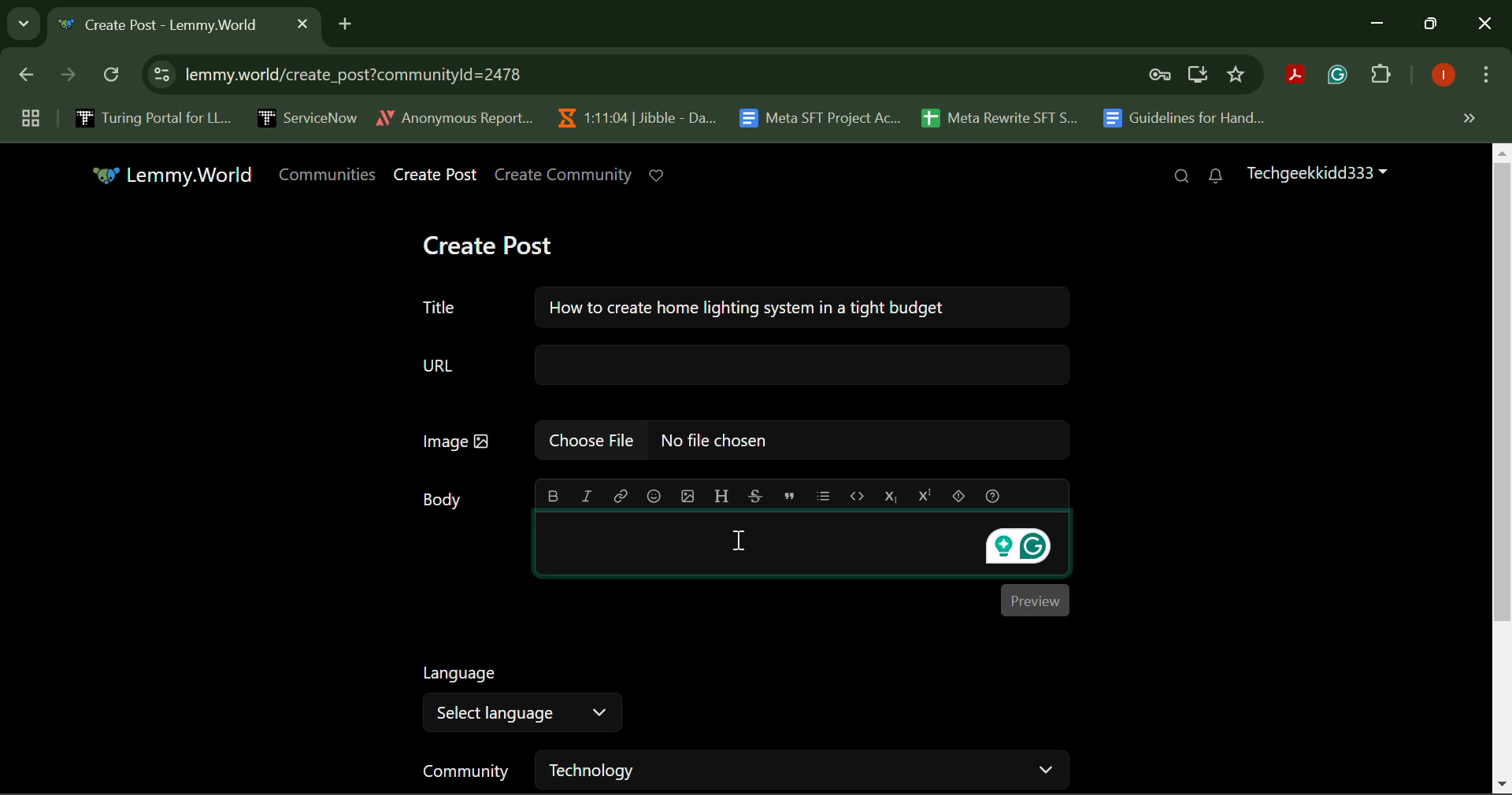  What do you see at coordinates (959, 496) in the screenshot?
I see `spoiler` at bounding box center [959, 496].